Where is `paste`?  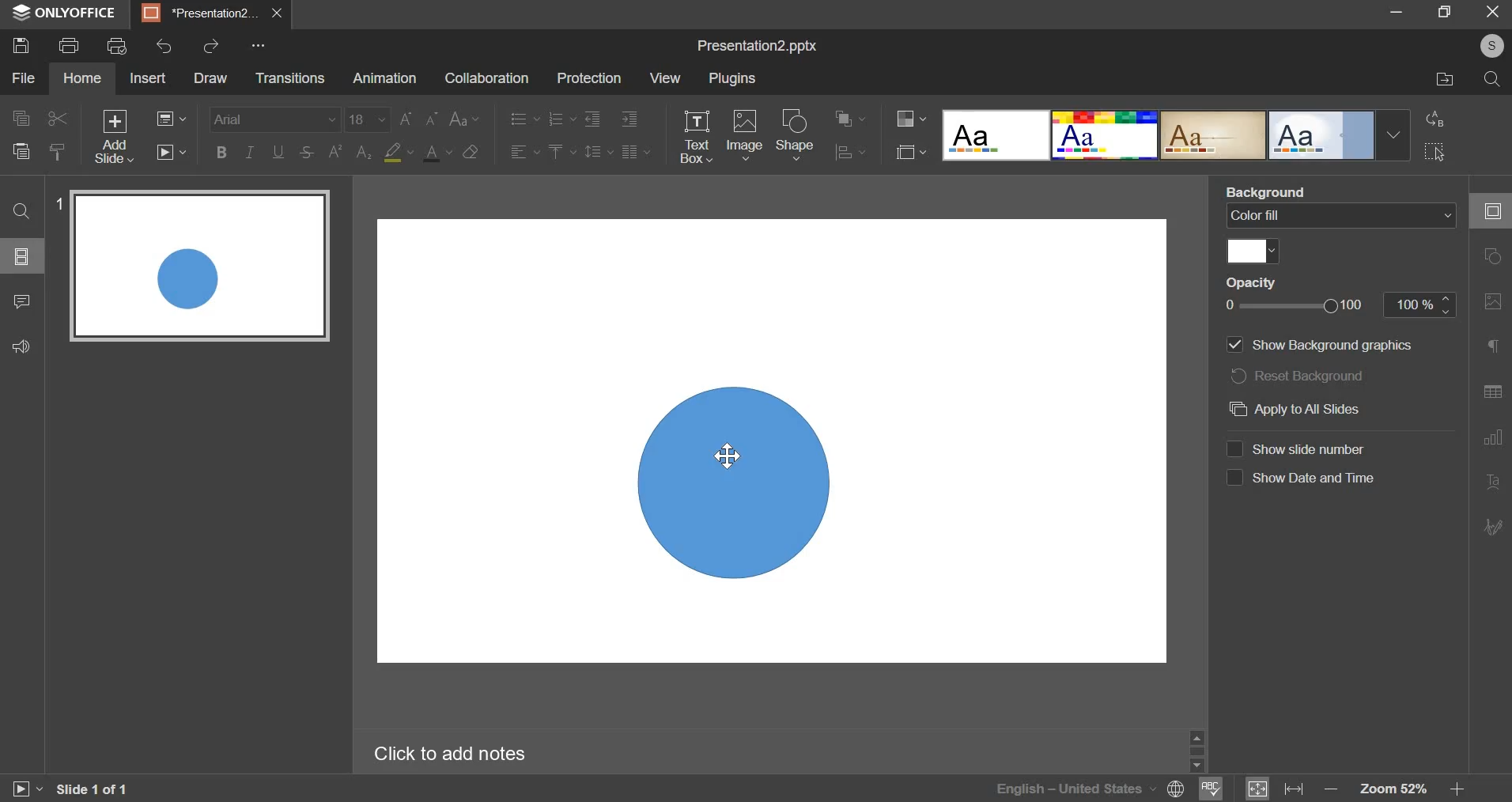 paste is located at coordinates (21, 149).